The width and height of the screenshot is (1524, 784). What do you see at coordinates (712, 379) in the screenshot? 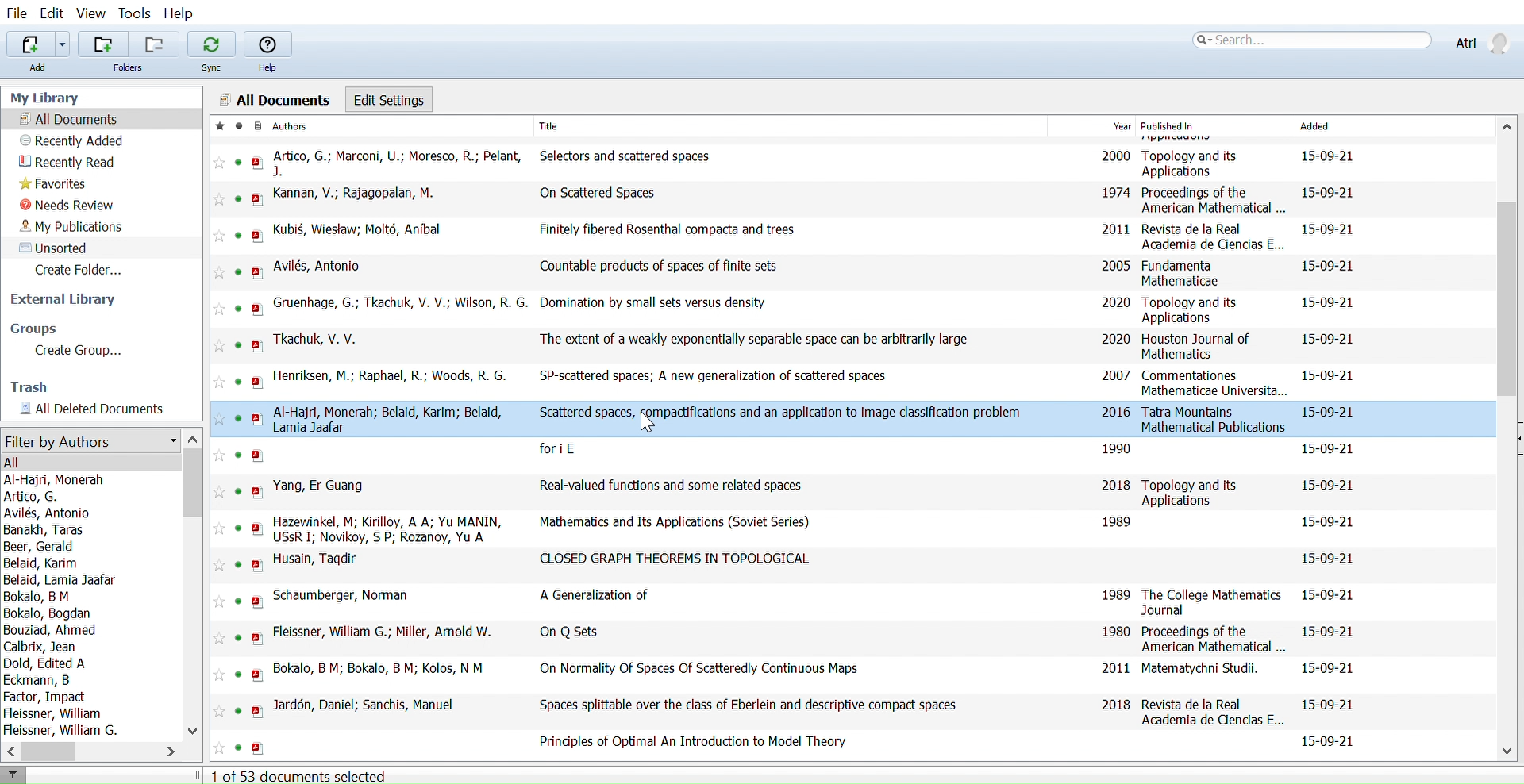
I see `SP-scattered spaces; A new generalization of scattered spaces` at bounding box center [712, 379].